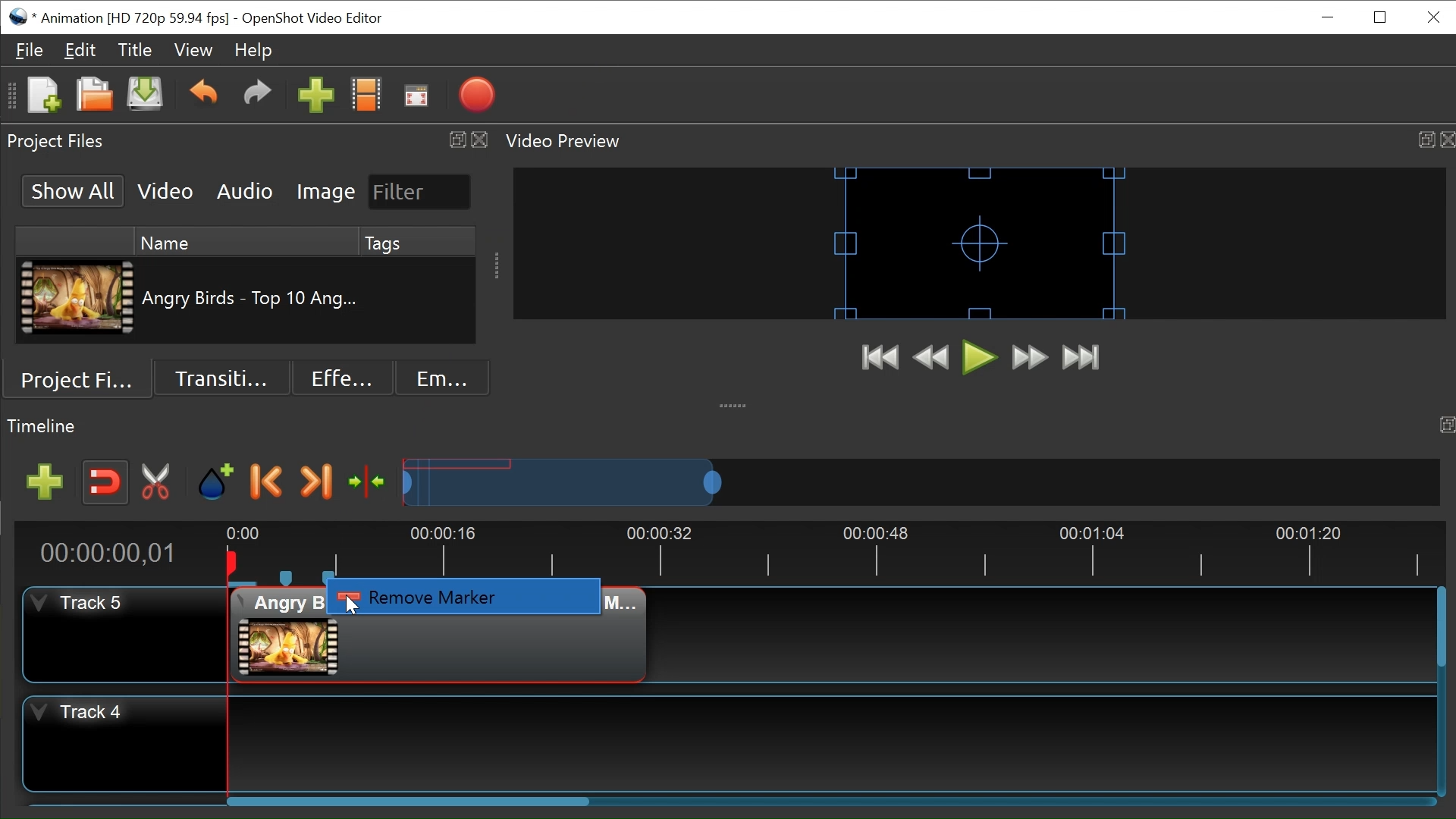 This screenshot has width=1456, height=819. What do you see at coordinates (245, 242) in the screenshot?
I see `Name` at bounding box center [245, 242].